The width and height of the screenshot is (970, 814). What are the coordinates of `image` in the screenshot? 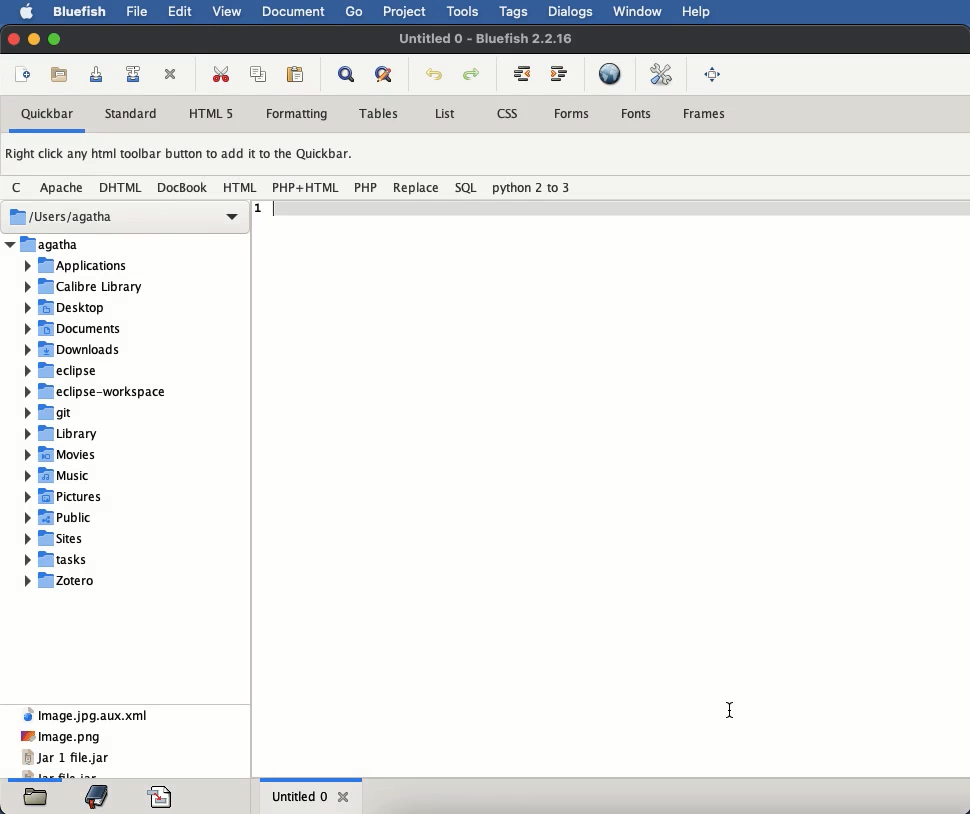 It's located at (87, 714).